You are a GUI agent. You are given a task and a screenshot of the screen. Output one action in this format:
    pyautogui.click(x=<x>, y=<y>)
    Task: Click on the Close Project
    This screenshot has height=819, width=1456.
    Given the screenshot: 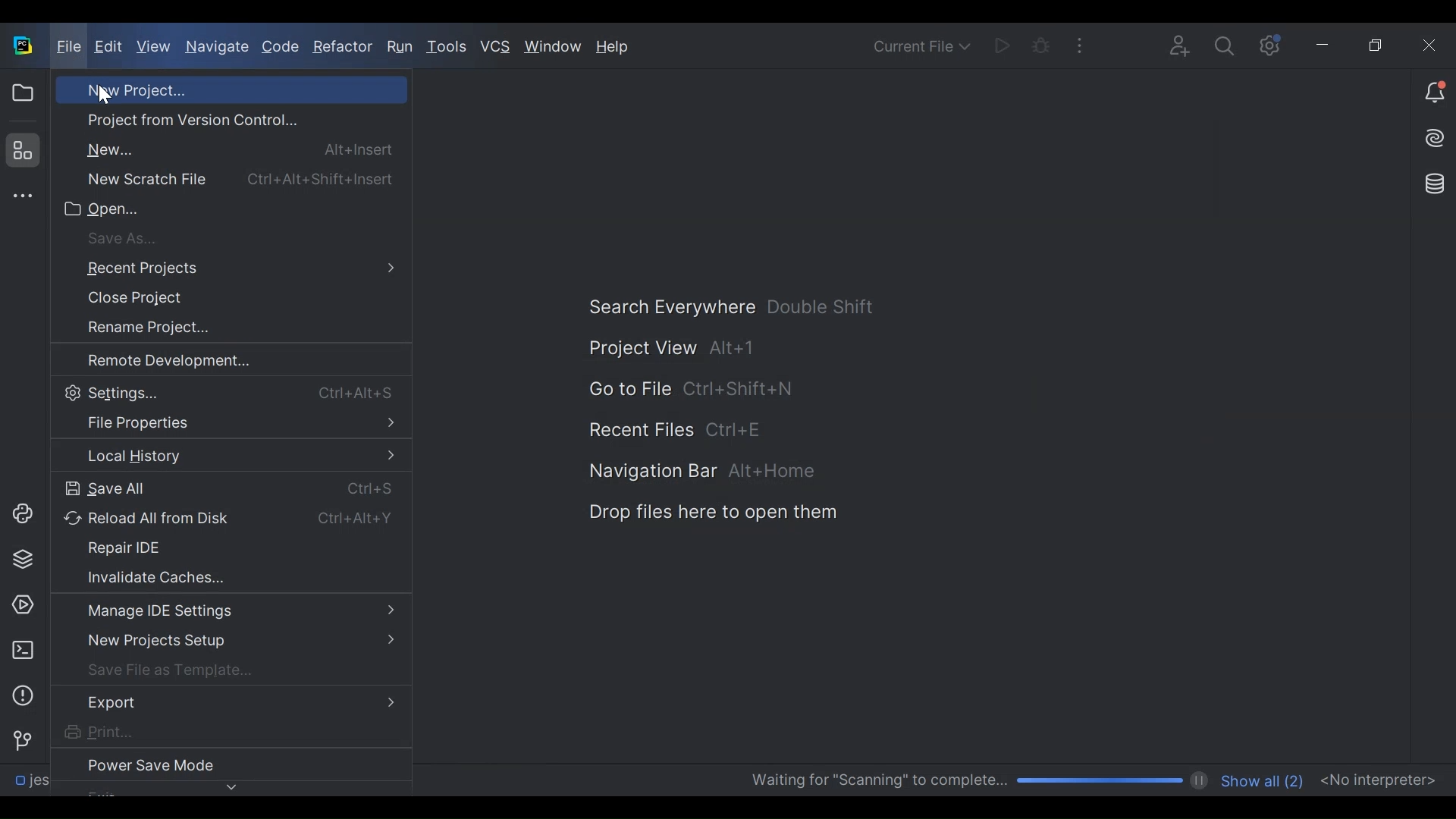 What is the action you would take?
    pyautogui.click(x=211, y=300)
    